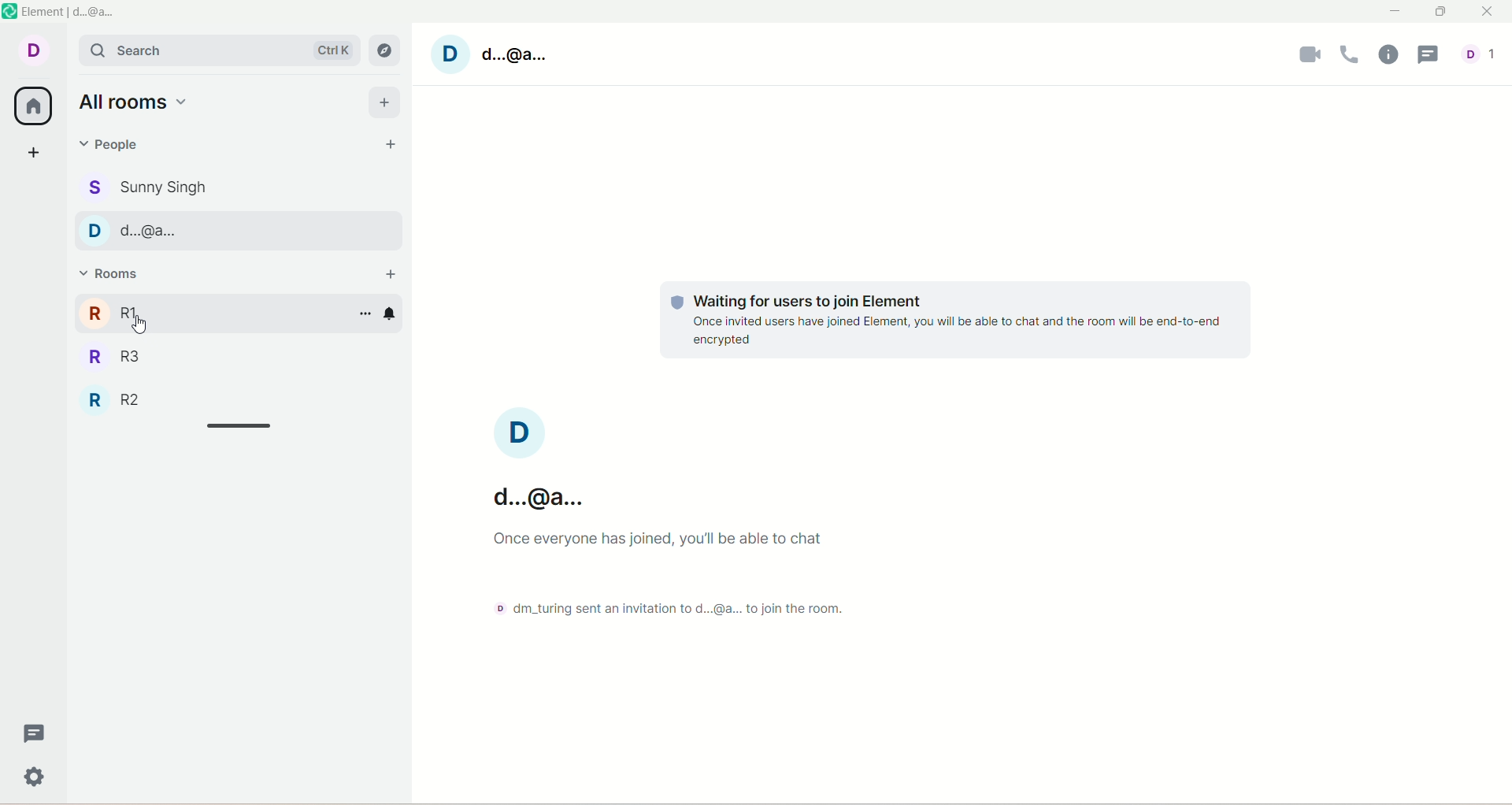 The width and height of the screenshot is (1512, 805). What do you see at coordinates (141, 327) in the screenshot?
I see `cursor` at bounding box center [141, 327].